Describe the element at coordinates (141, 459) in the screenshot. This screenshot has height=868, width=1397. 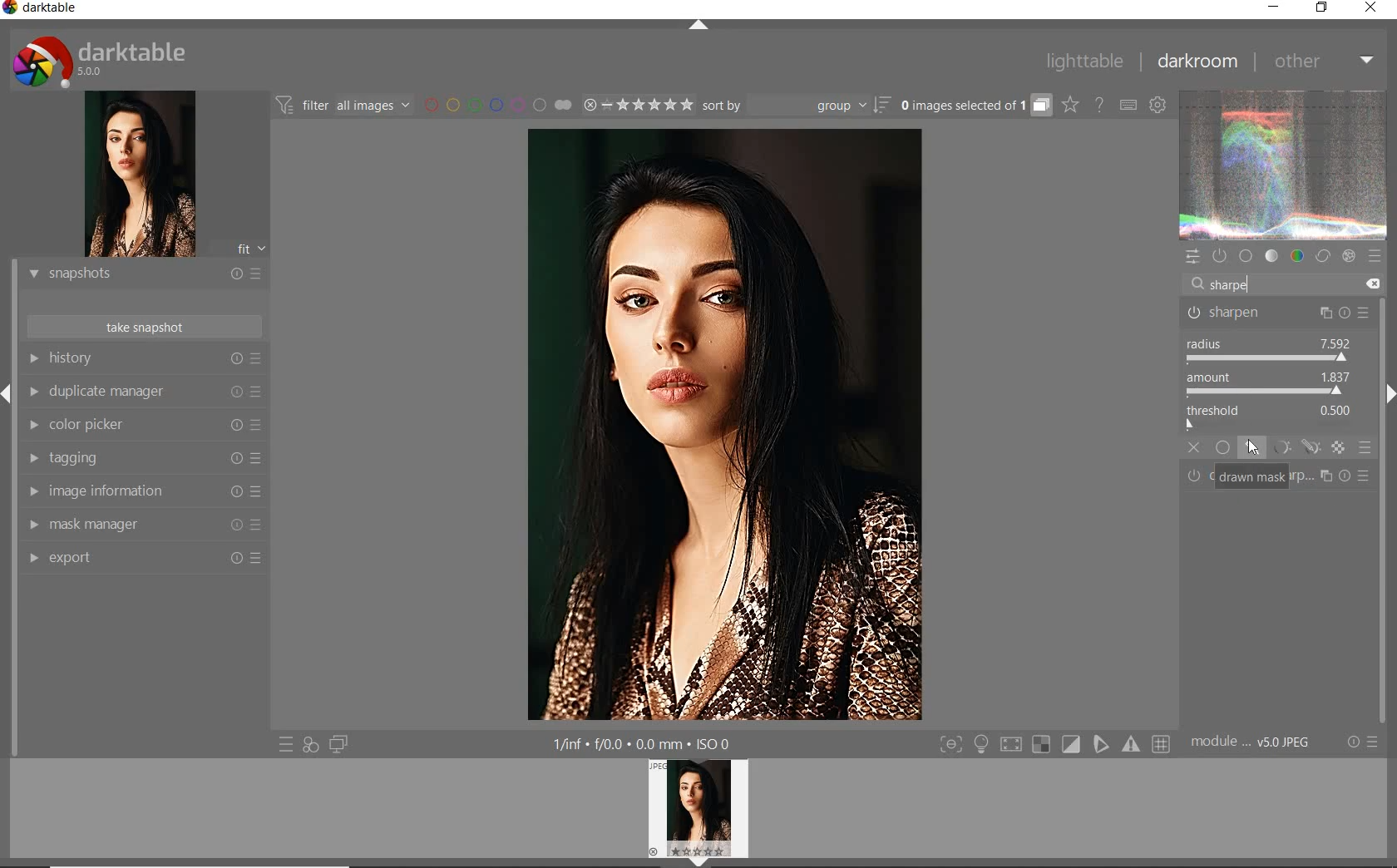
I see `TAGGING` at that location.